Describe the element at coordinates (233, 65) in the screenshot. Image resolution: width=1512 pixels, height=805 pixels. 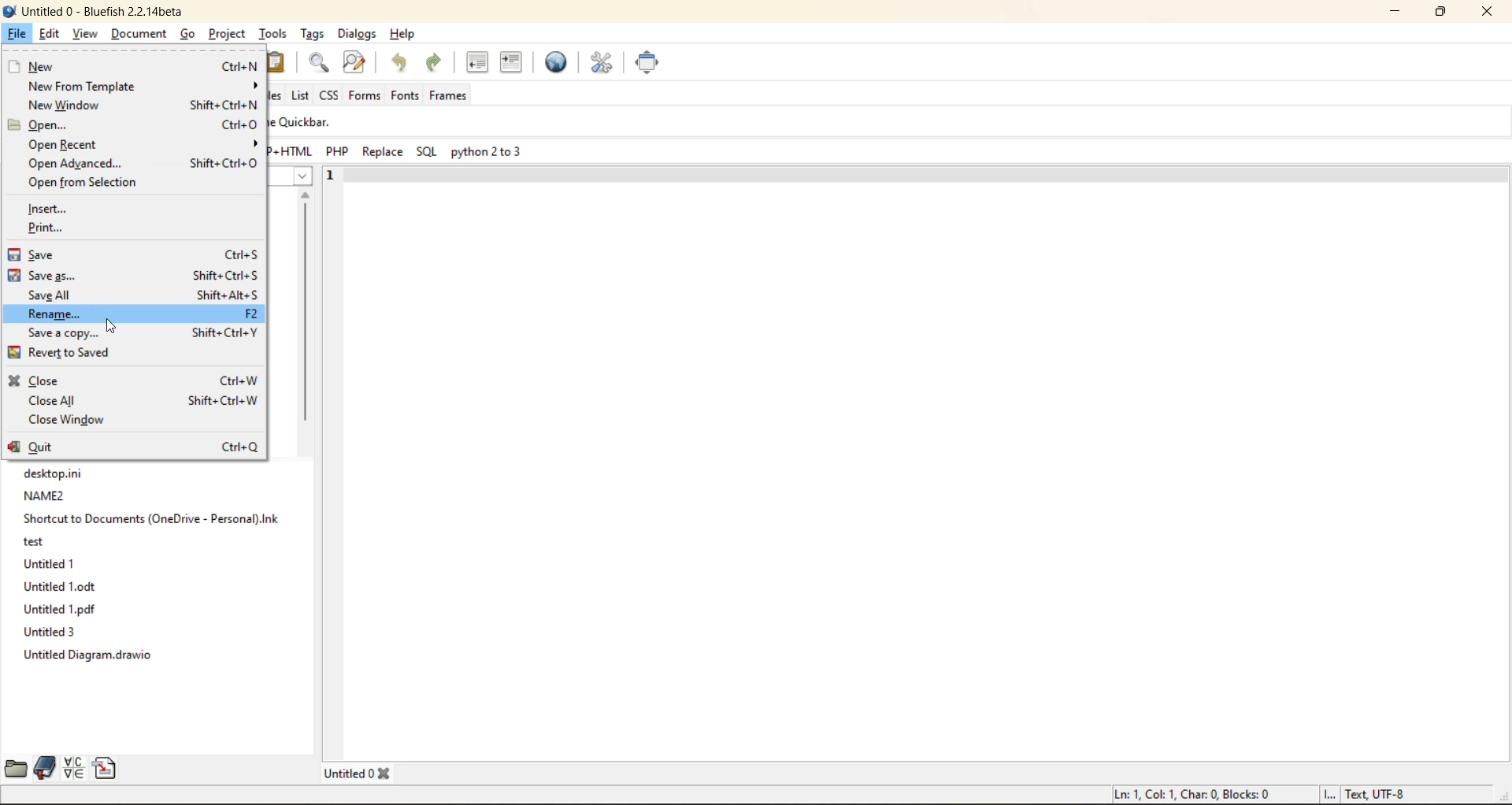
I see `ctrl+N ` at that location.